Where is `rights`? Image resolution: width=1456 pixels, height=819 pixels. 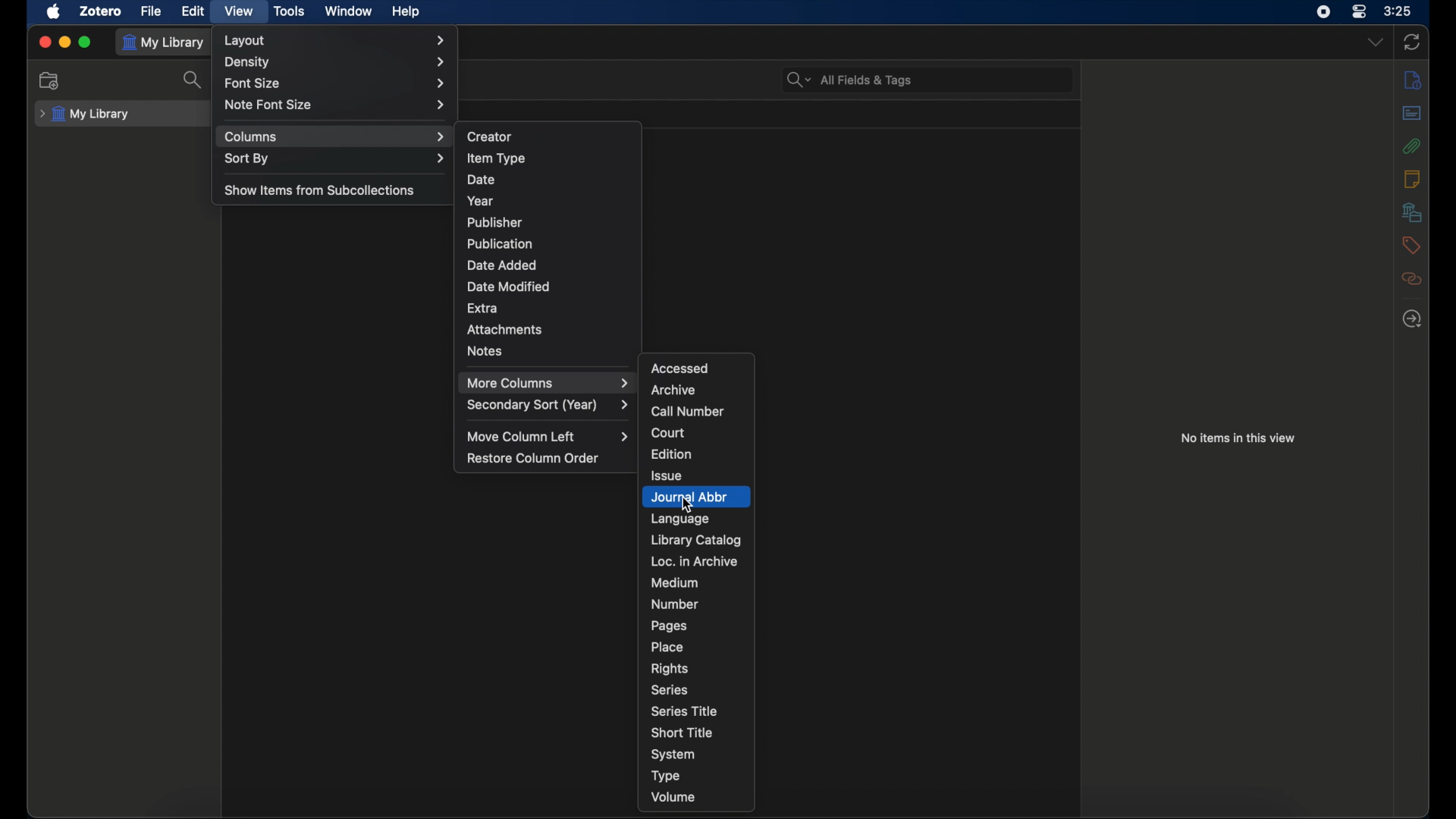
rights is located at coordinates (669, 669).